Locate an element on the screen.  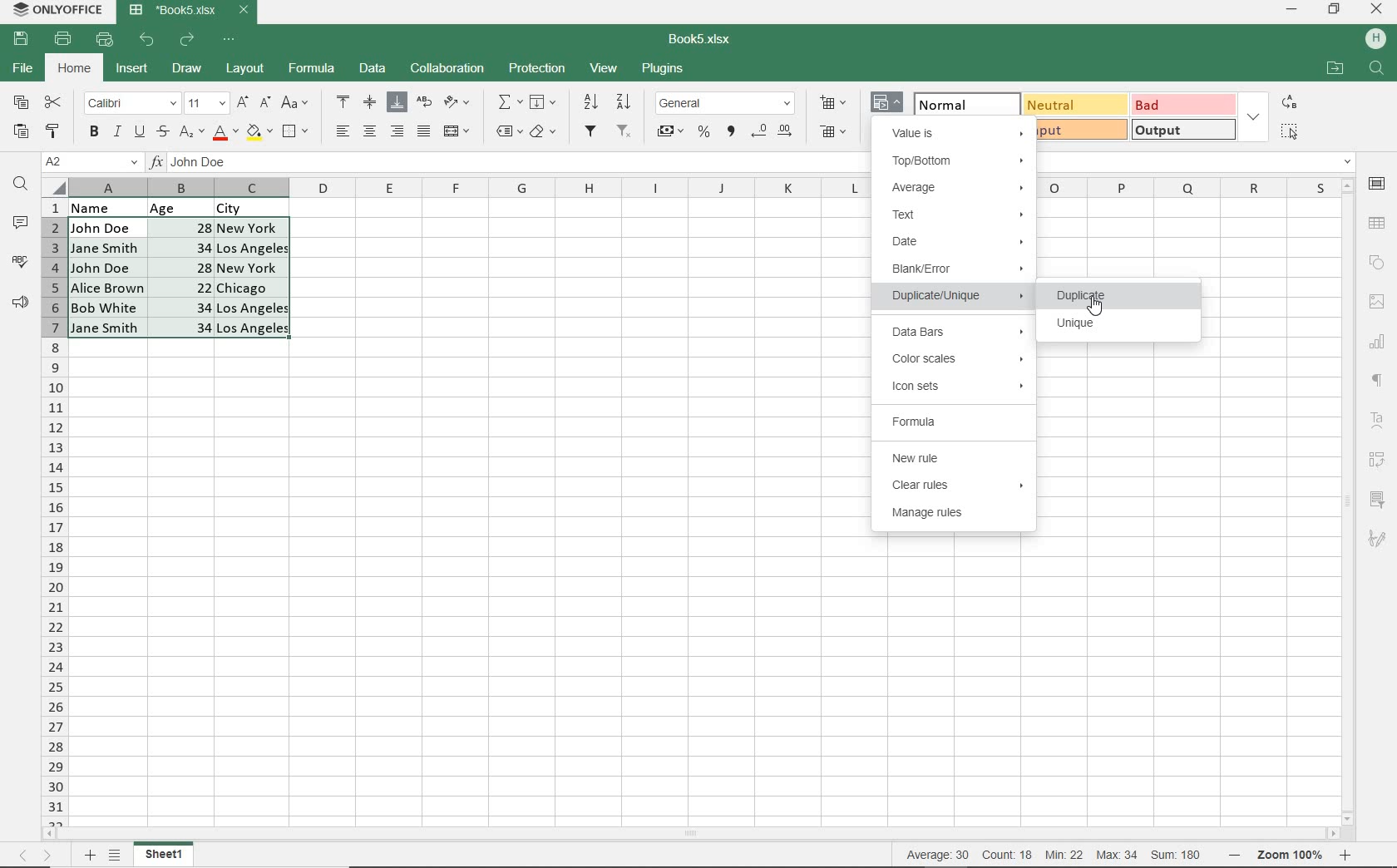
min is located at coordinates (1064, 855).